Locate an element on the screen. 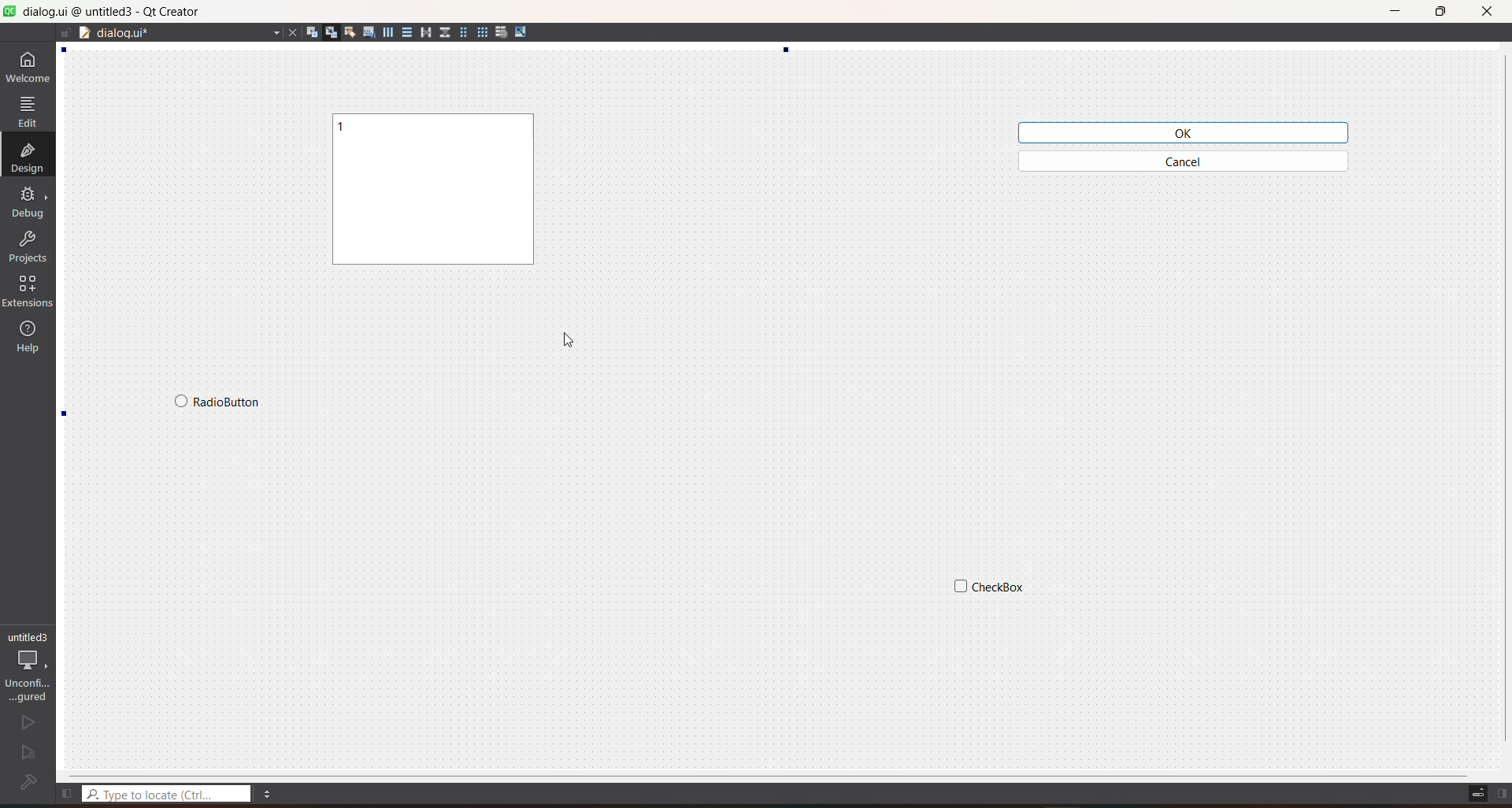  edit widgets is located at coordinates (311, 32).